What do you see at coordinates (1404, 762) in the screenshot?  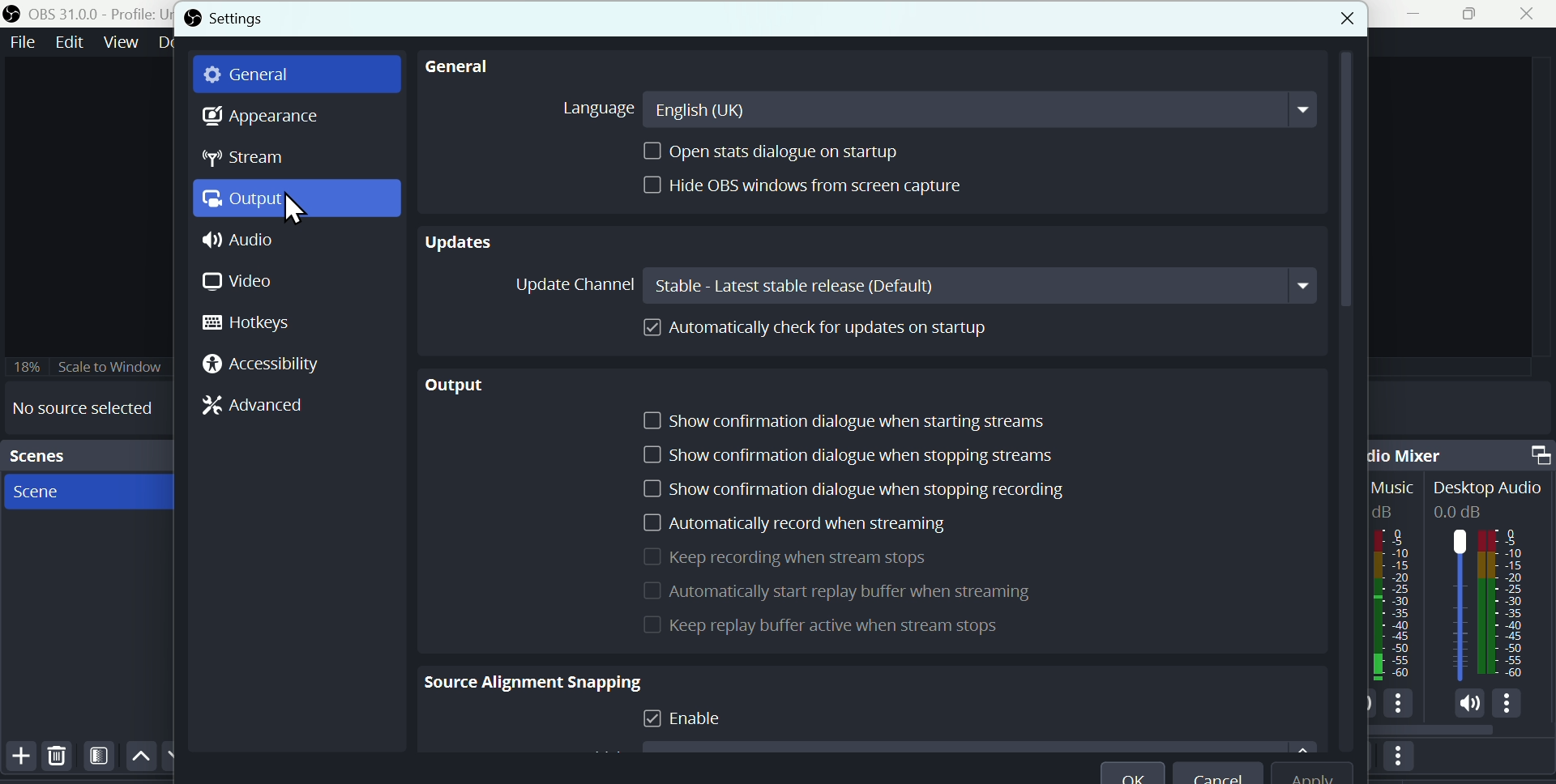 I see `More options` at bounding box center [1404, 762].